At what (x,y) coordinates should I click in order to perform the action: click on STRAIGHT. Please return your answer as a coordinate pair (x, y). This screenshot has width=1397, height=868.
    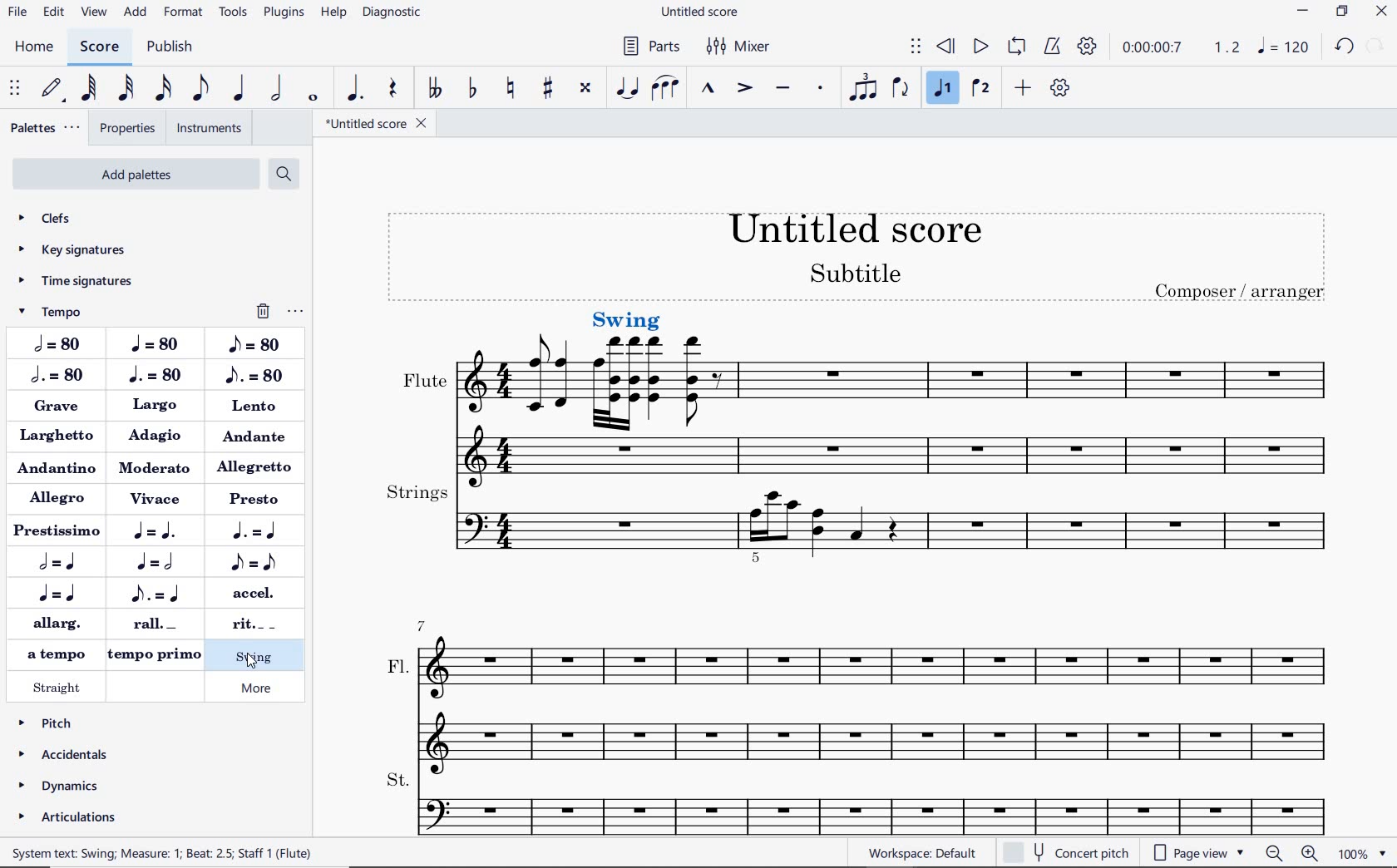
    Looking at the image, I should click on (59, 686).